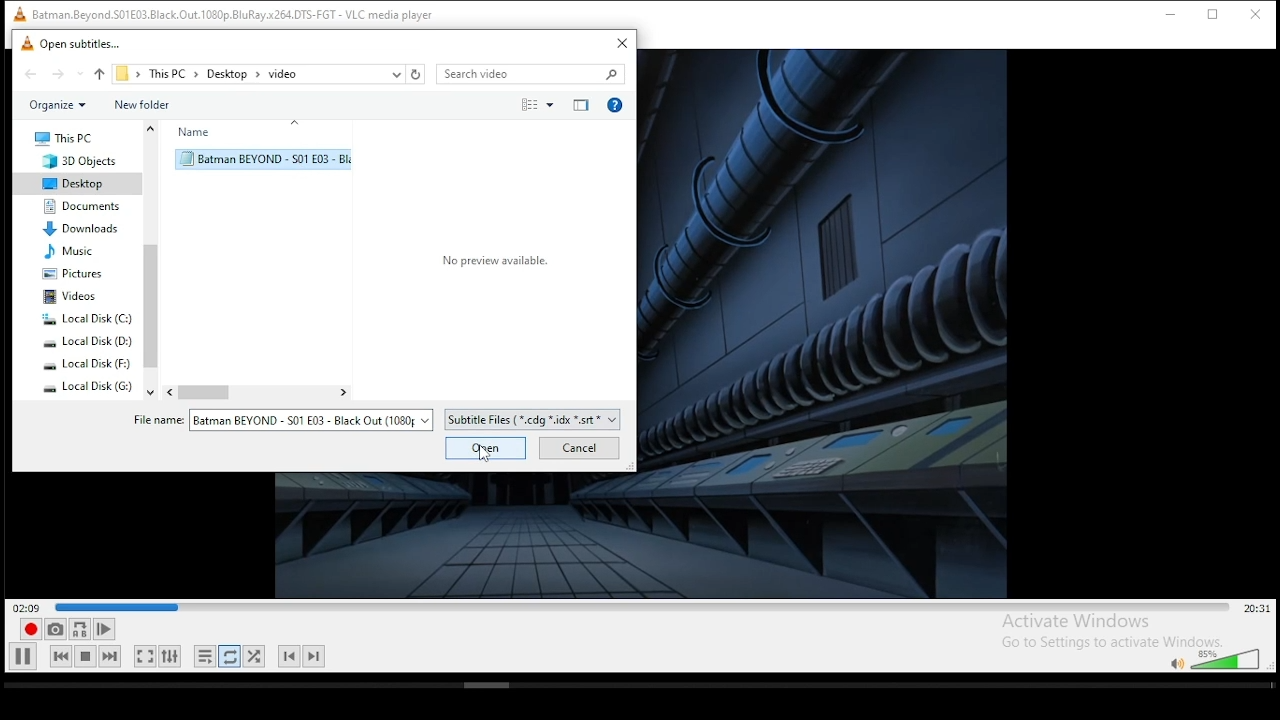 This screenshot has height=720, width=1280. What do you see at coordinates (643, 684) in the screenshot?
I see `scrollbar` at bounding box center [643, 684].